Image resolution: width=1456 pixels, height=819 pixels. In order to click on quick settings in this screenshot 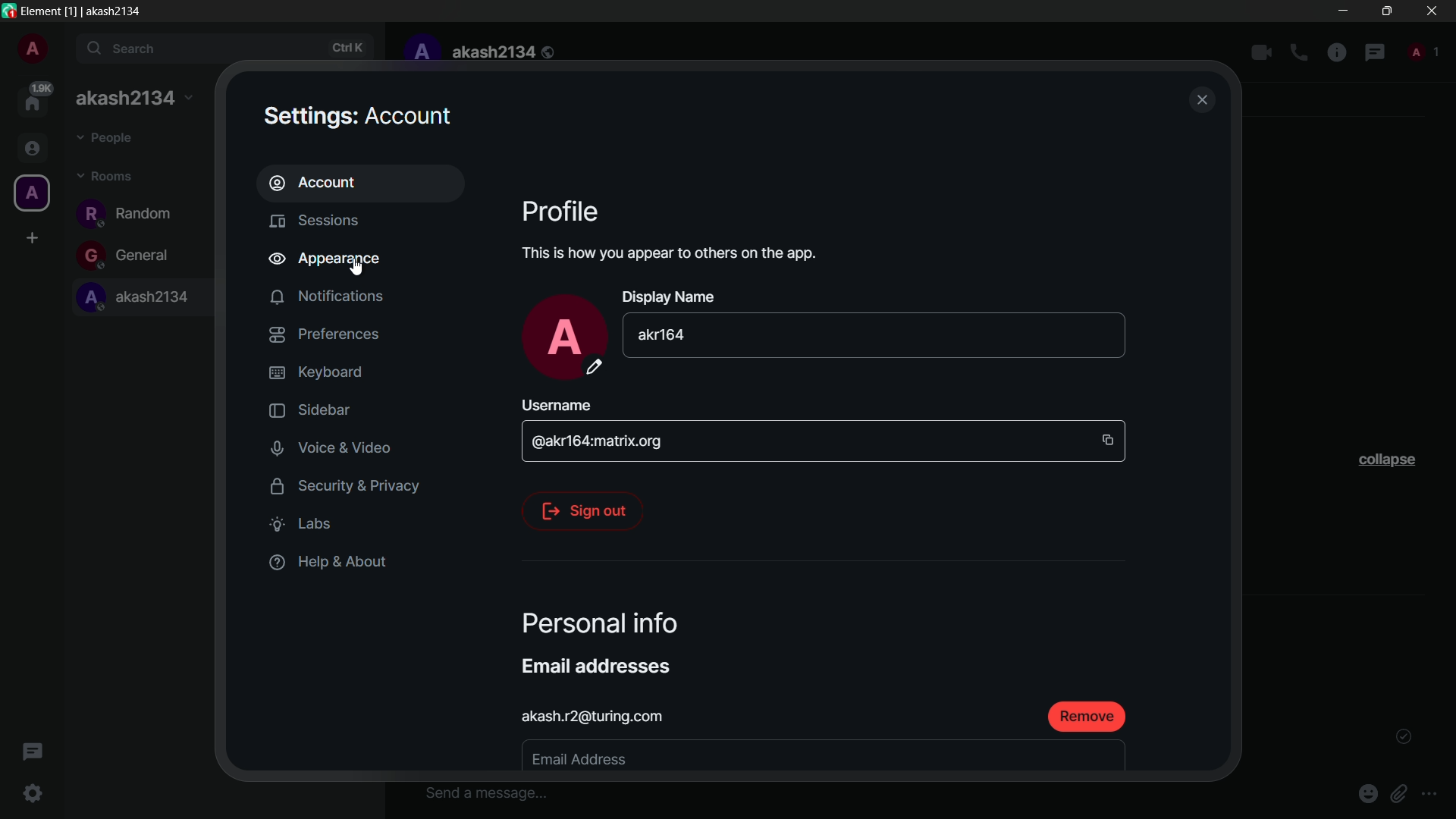, I will do `click(34, 795)`.